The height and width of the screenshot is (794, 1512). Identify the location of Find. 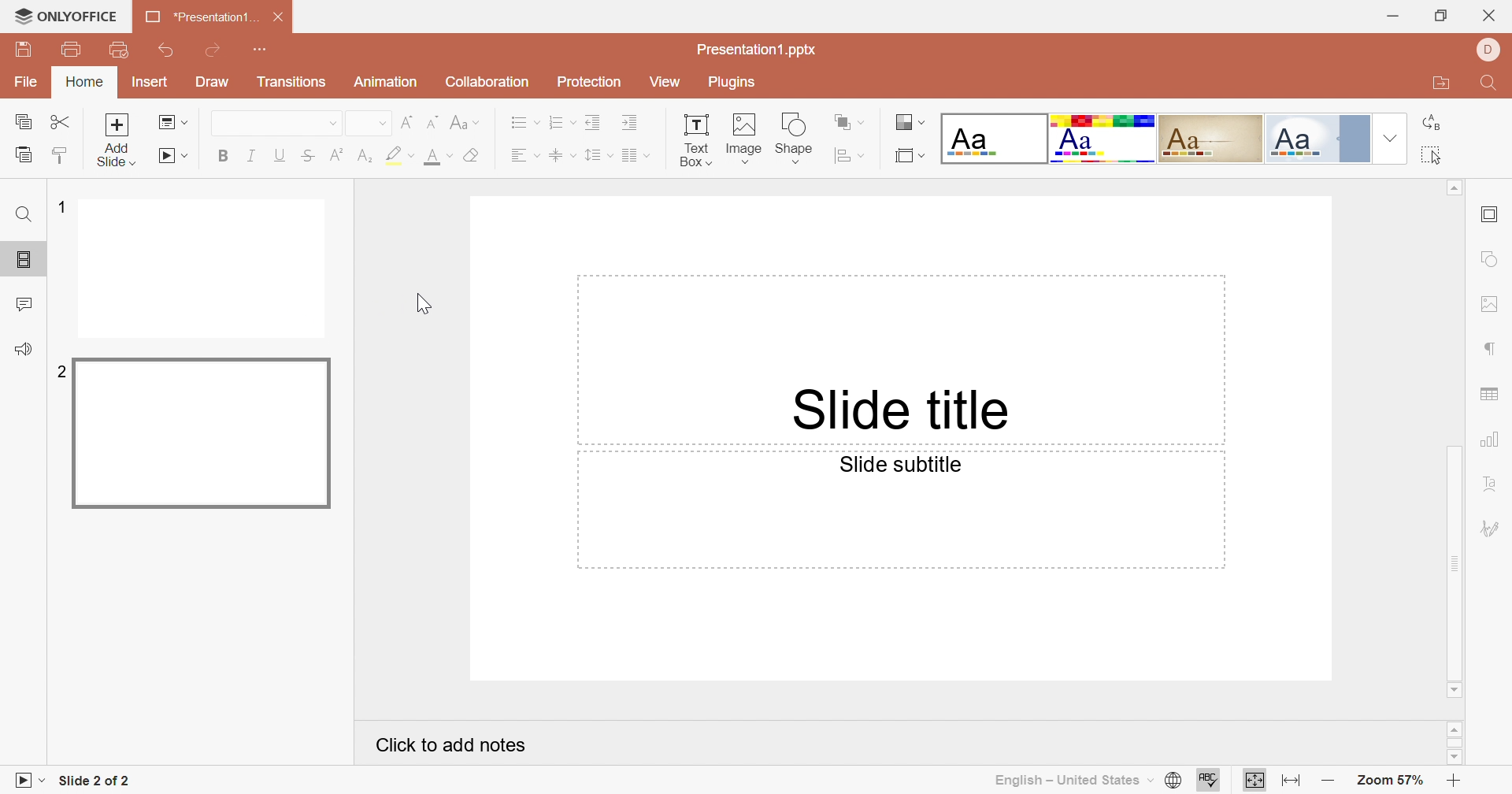
(1493, 85).